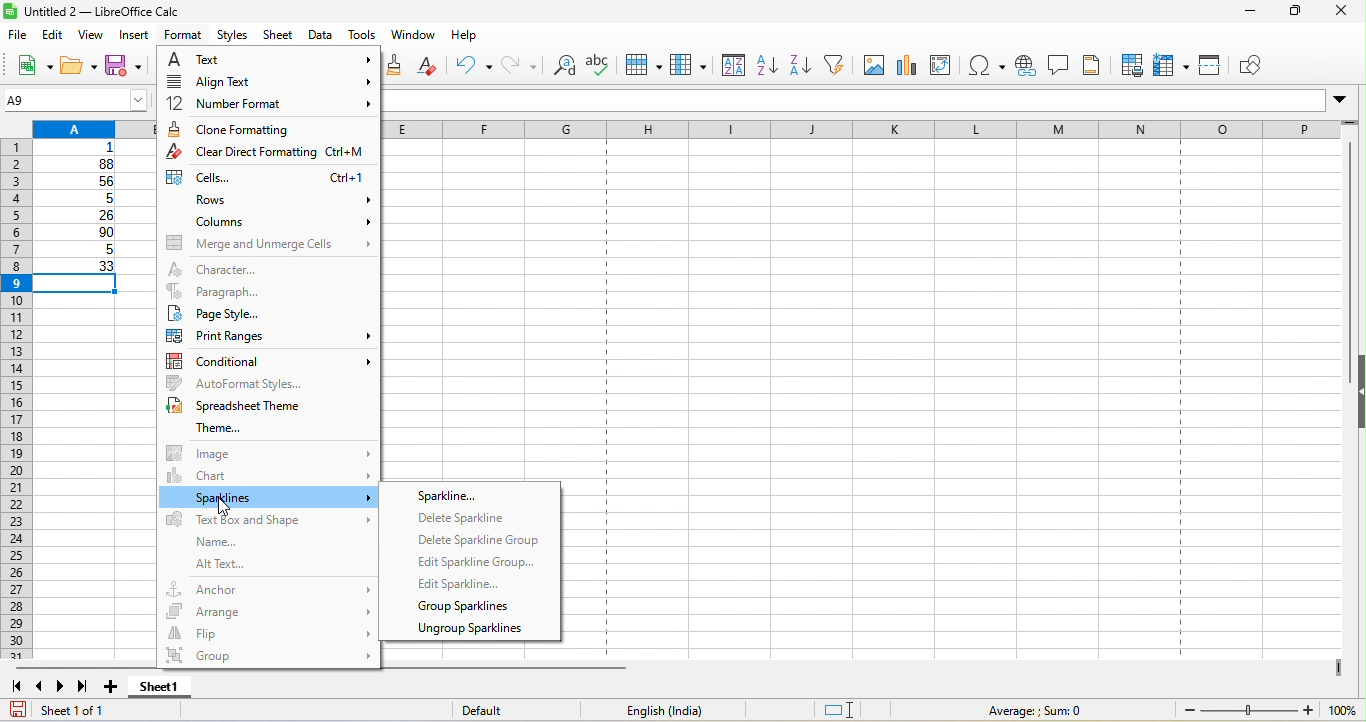 This screenshot has width=1366, height=722. What do you see at coordinates (271, 358) in the screenshot?
I see `conditional` at bounding box center [271, 358].